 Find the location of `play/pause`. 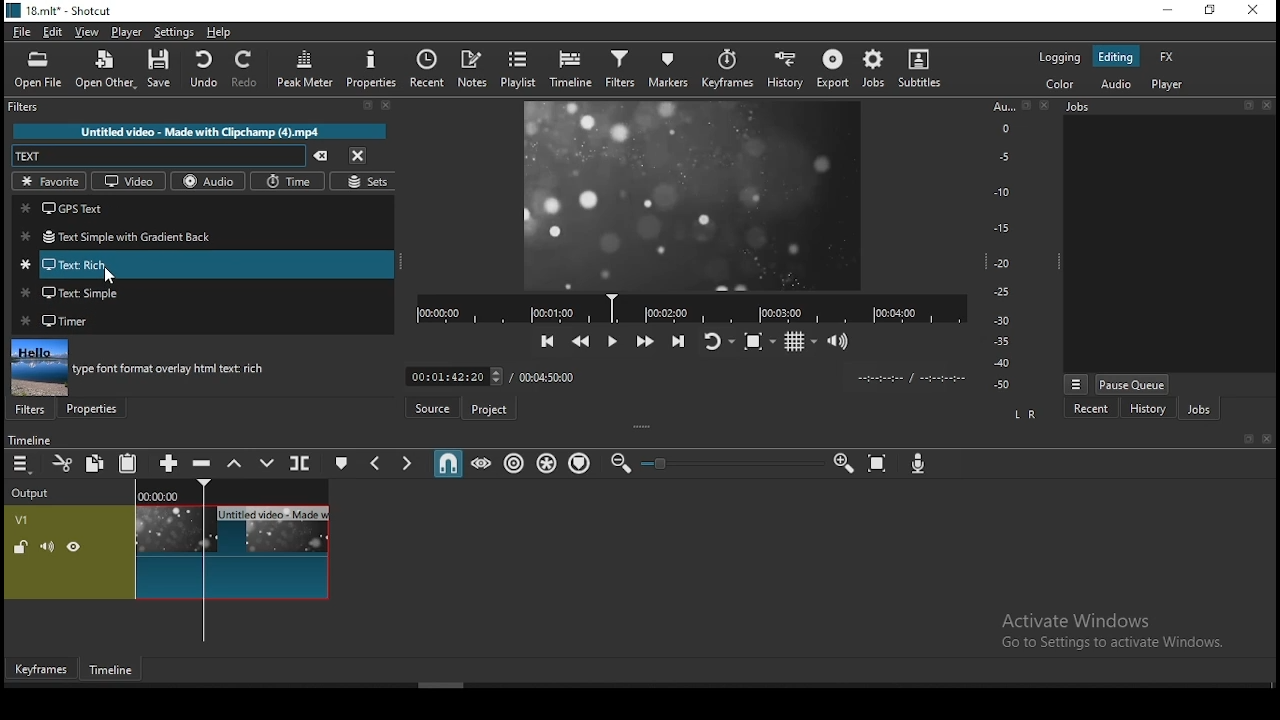

play/pause is located at coordinates (614, 342).